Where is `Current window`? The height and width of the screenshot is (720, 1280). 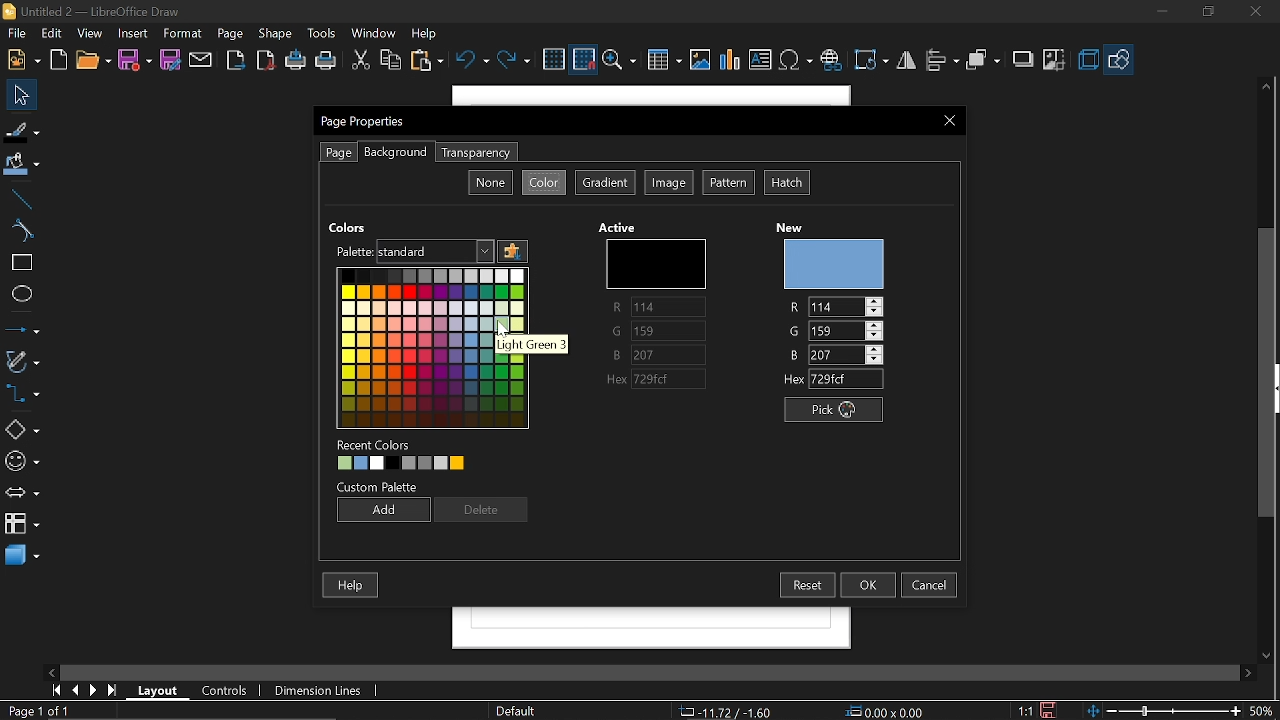
Current window is located at coordinates (365, 122).